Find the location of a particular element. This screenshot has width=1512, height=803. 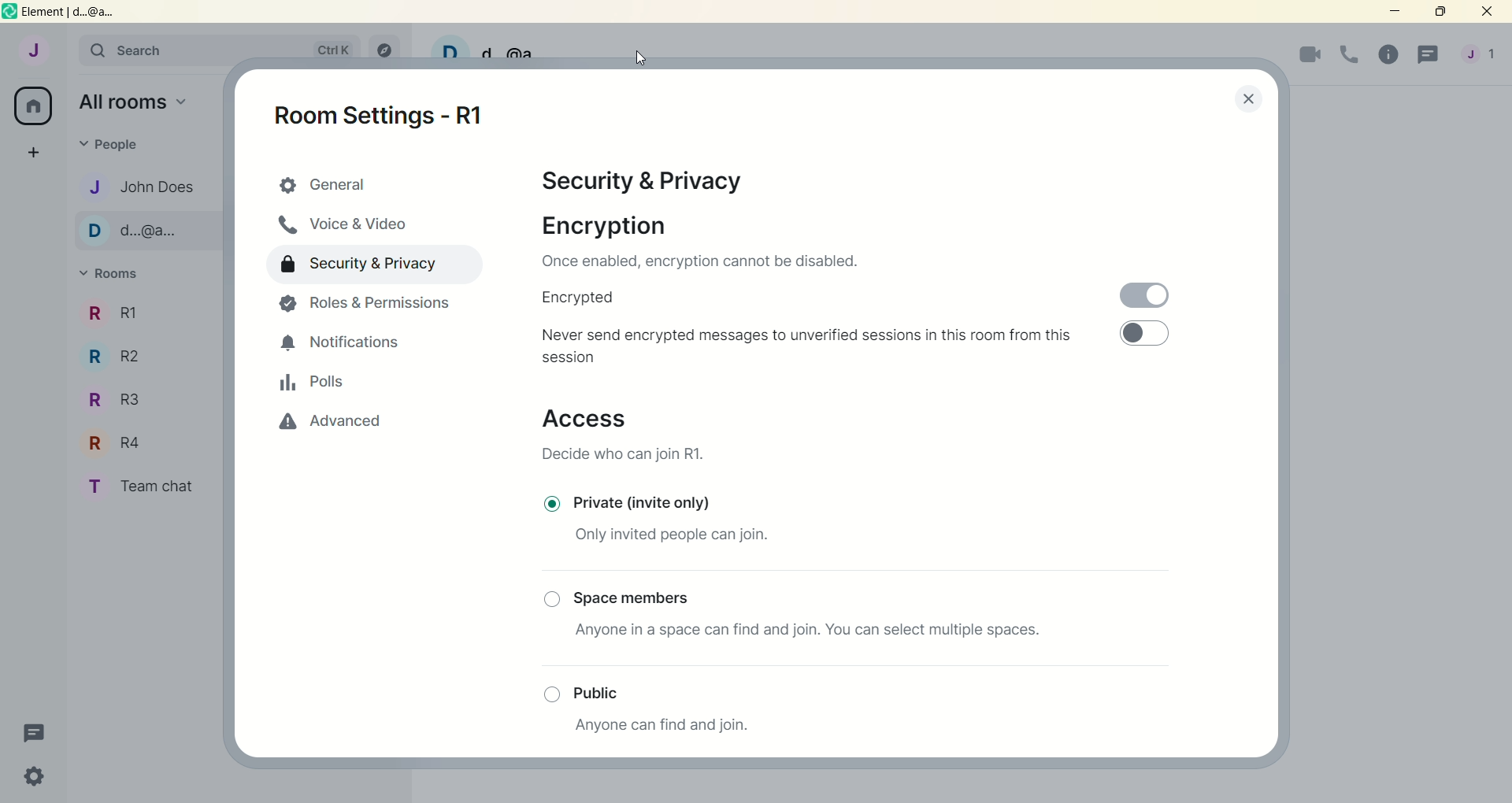

Only Invited peopie can join. is located at coordinates (677, 538).